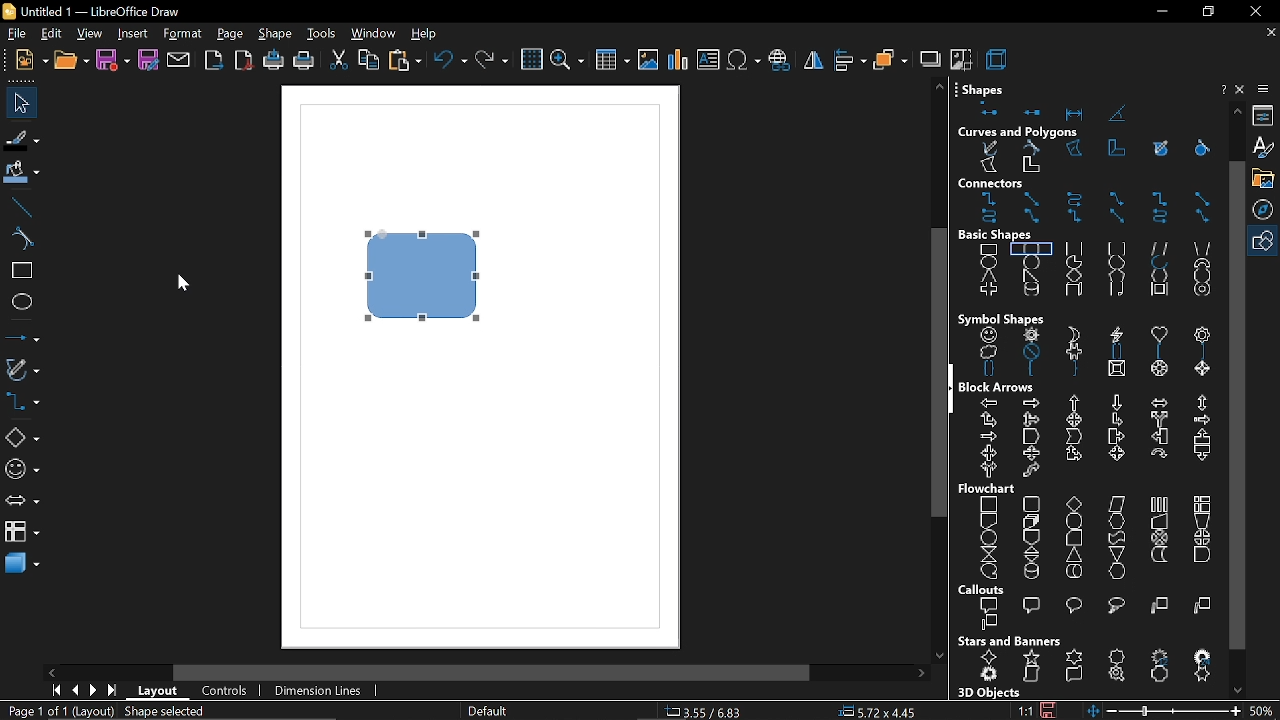  Describe the element at coordinates (932, 376) in the screenshot. I see `vertical scroll bar` at that location.